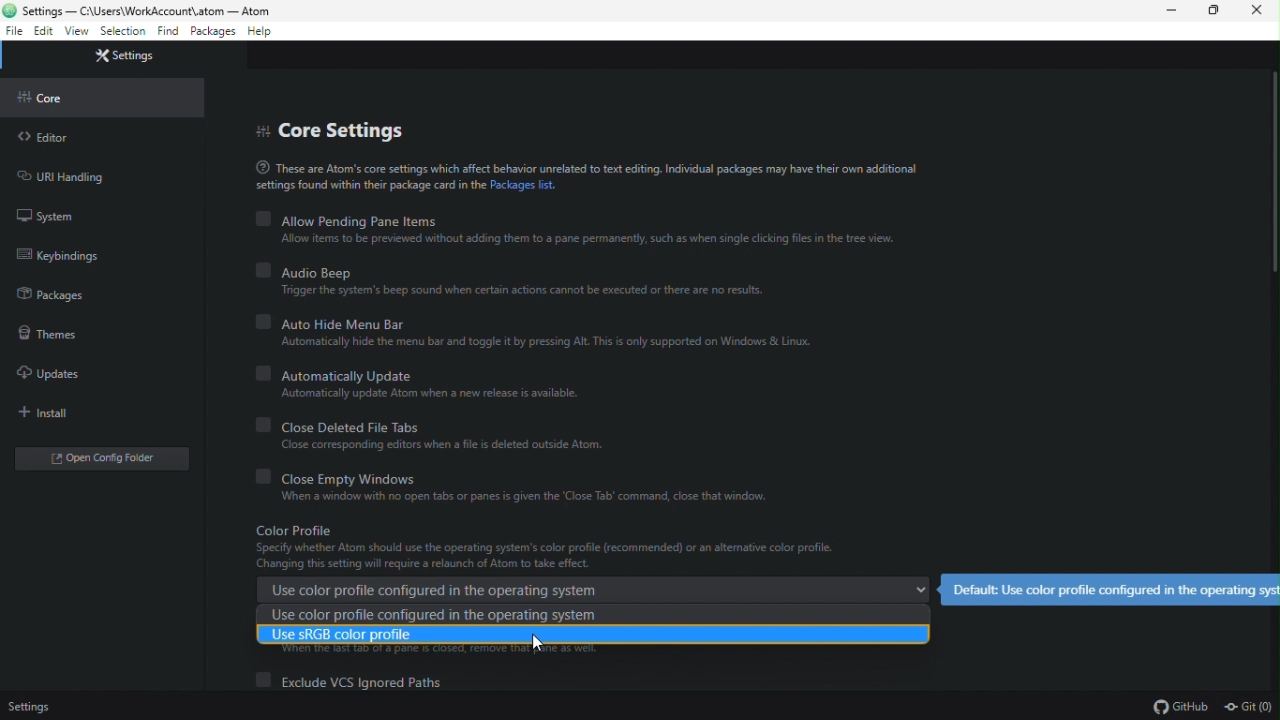 The image size is (1280, 720). What do you see at coordinates (336, 128) in the screenshot?
I see `core settings` at bounding box center [336, 128].